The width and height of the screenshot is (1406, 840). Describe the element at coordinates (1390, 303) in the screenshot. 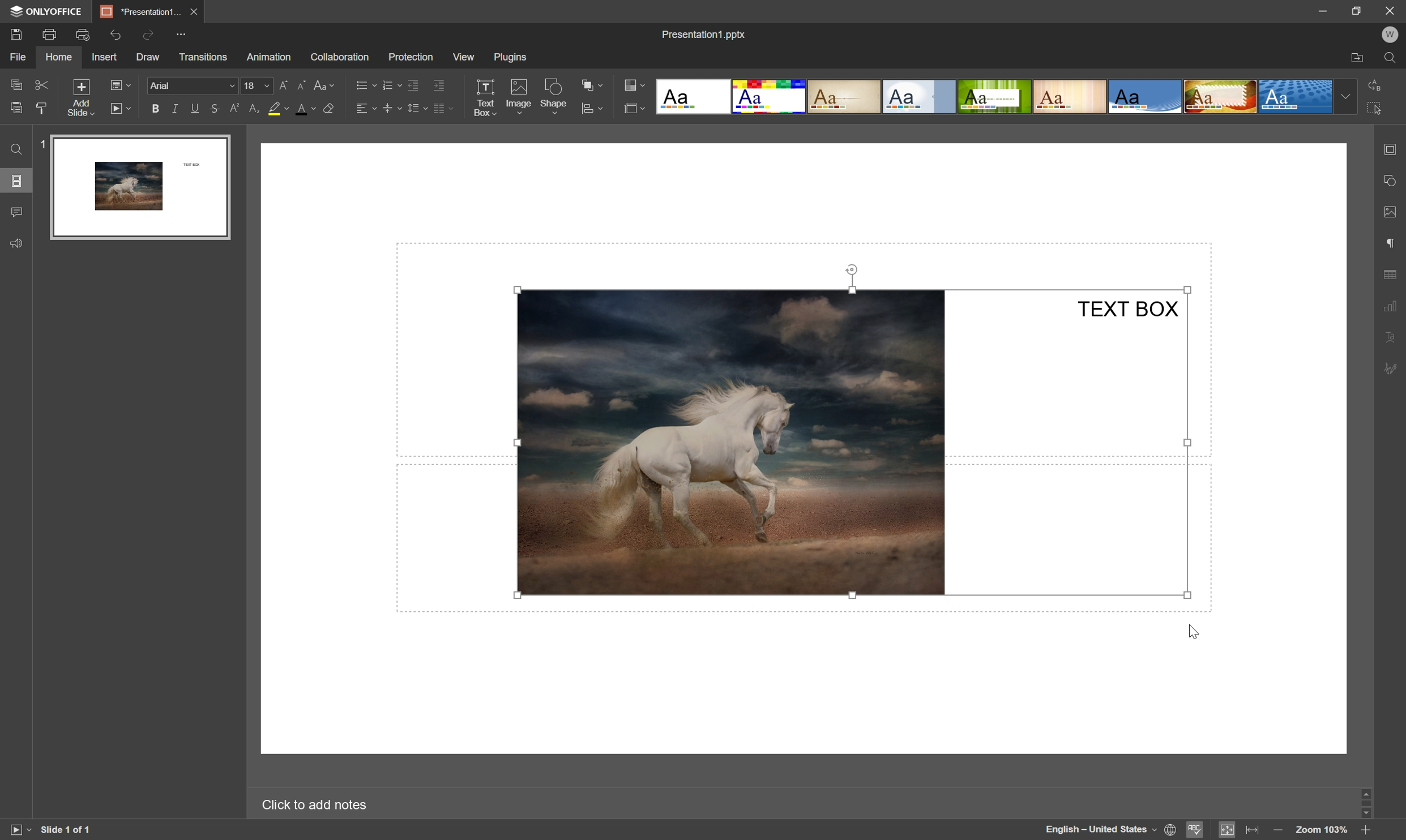

I see `chart settings` at that location.